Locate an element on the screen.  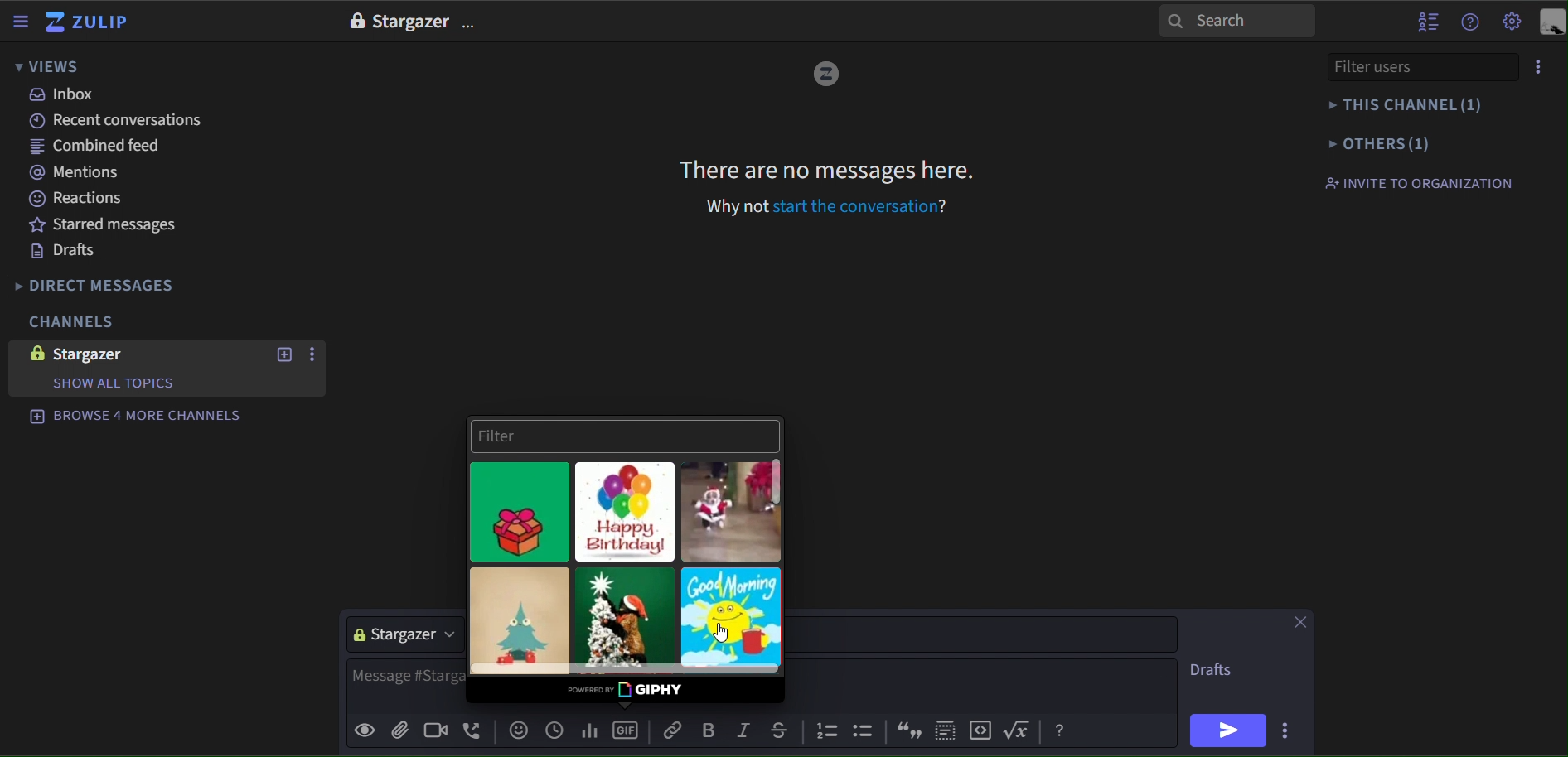
icon is located at coordinates (866, 733).